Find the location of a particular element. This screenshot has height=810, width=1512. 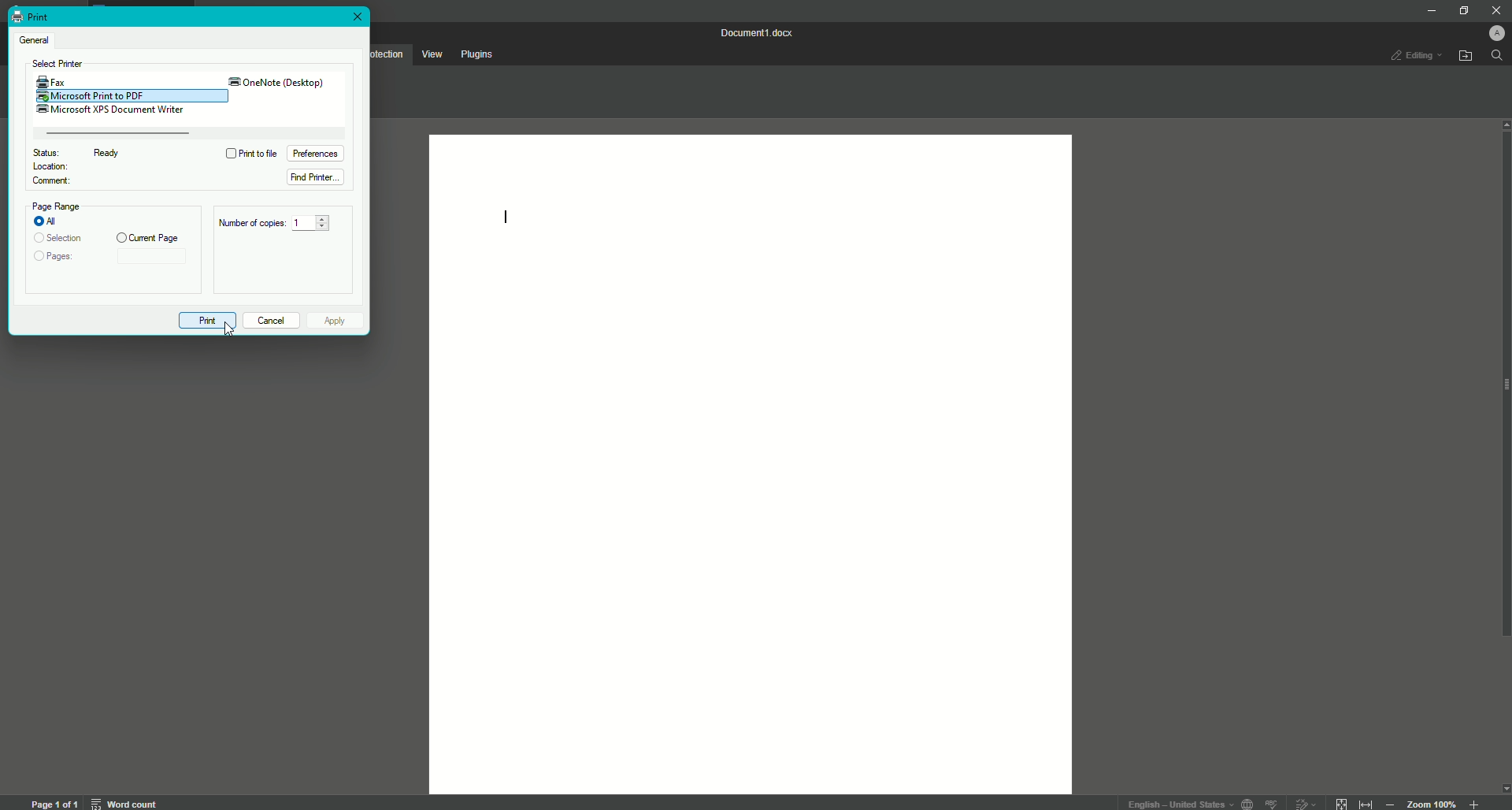

Fax is located at coordinates (51, 80).